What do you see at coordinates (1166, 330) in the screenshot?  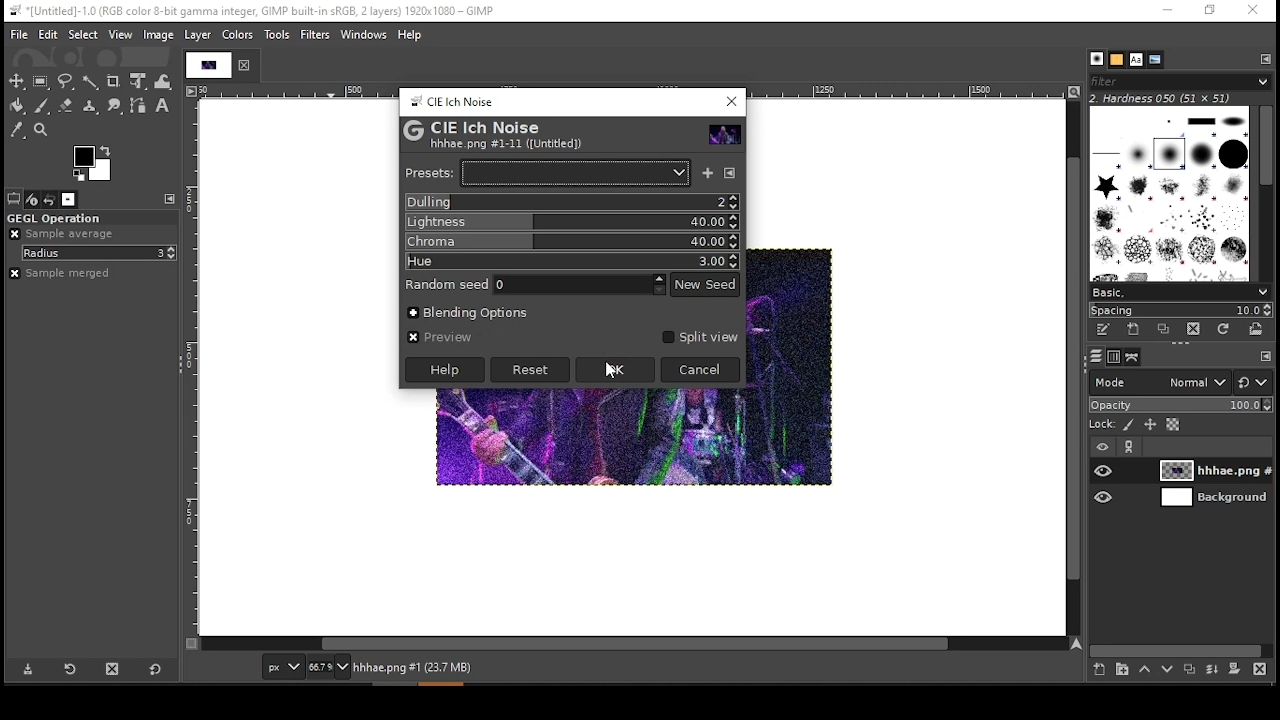 I see `duplicate this brush` at bounding box center [1166, 330].